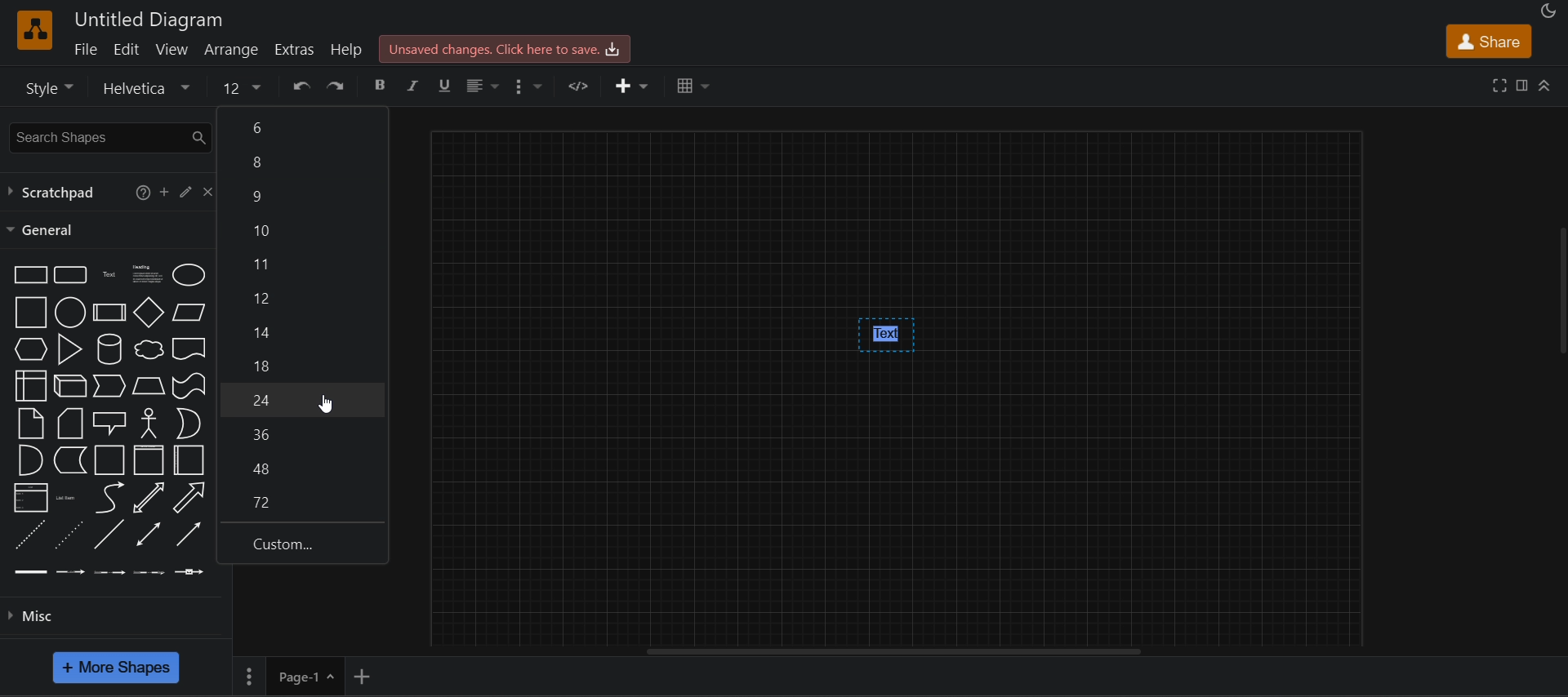 This screenshot has height=697, width=1568. What do you see at coordinates (189, 386) in the screenshot?
I see `Tape` at bounding box center [189, 386].